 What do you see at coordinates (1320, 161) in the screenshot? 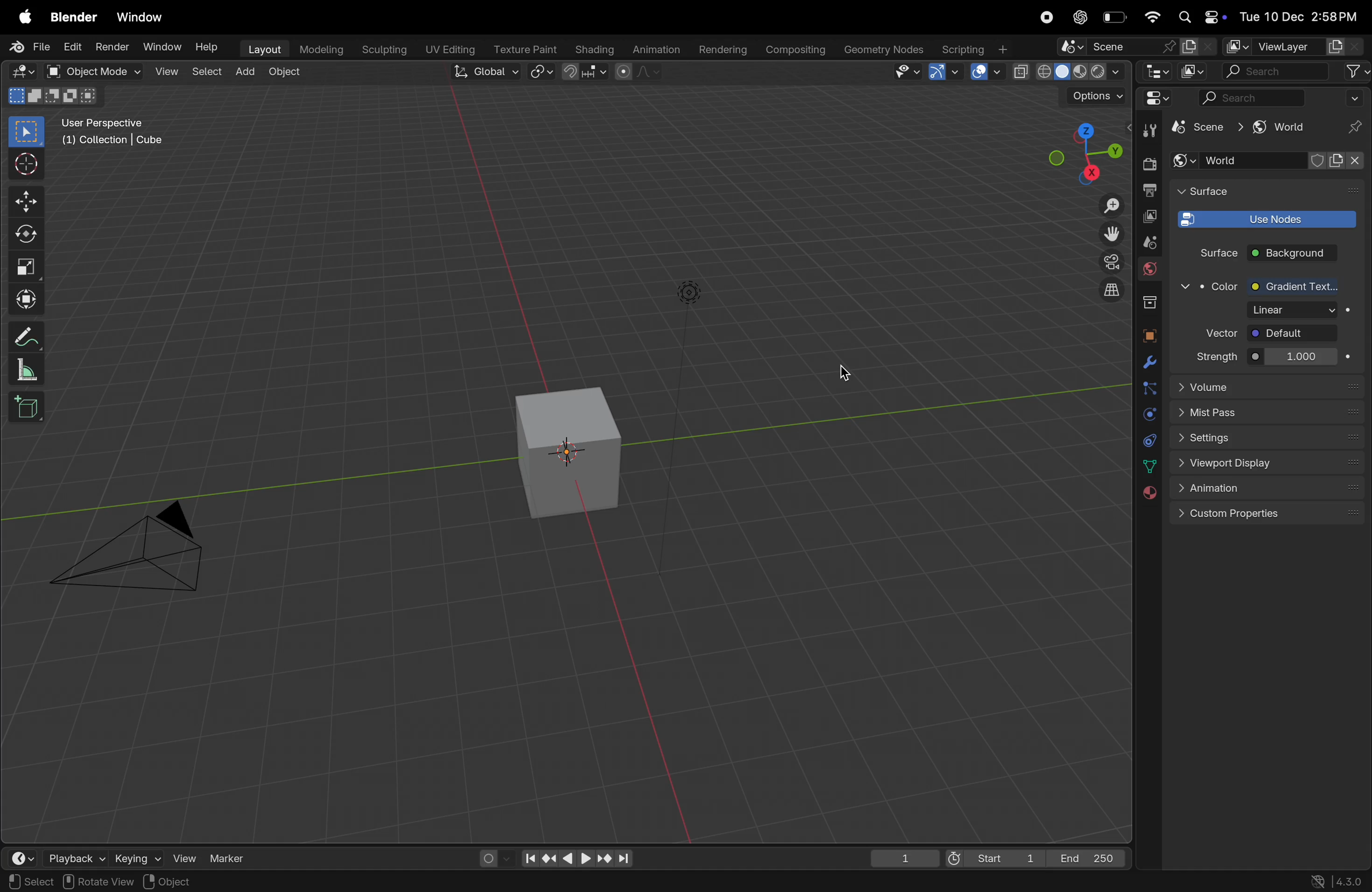
I see `shield` at bounding box center [1320, 161].